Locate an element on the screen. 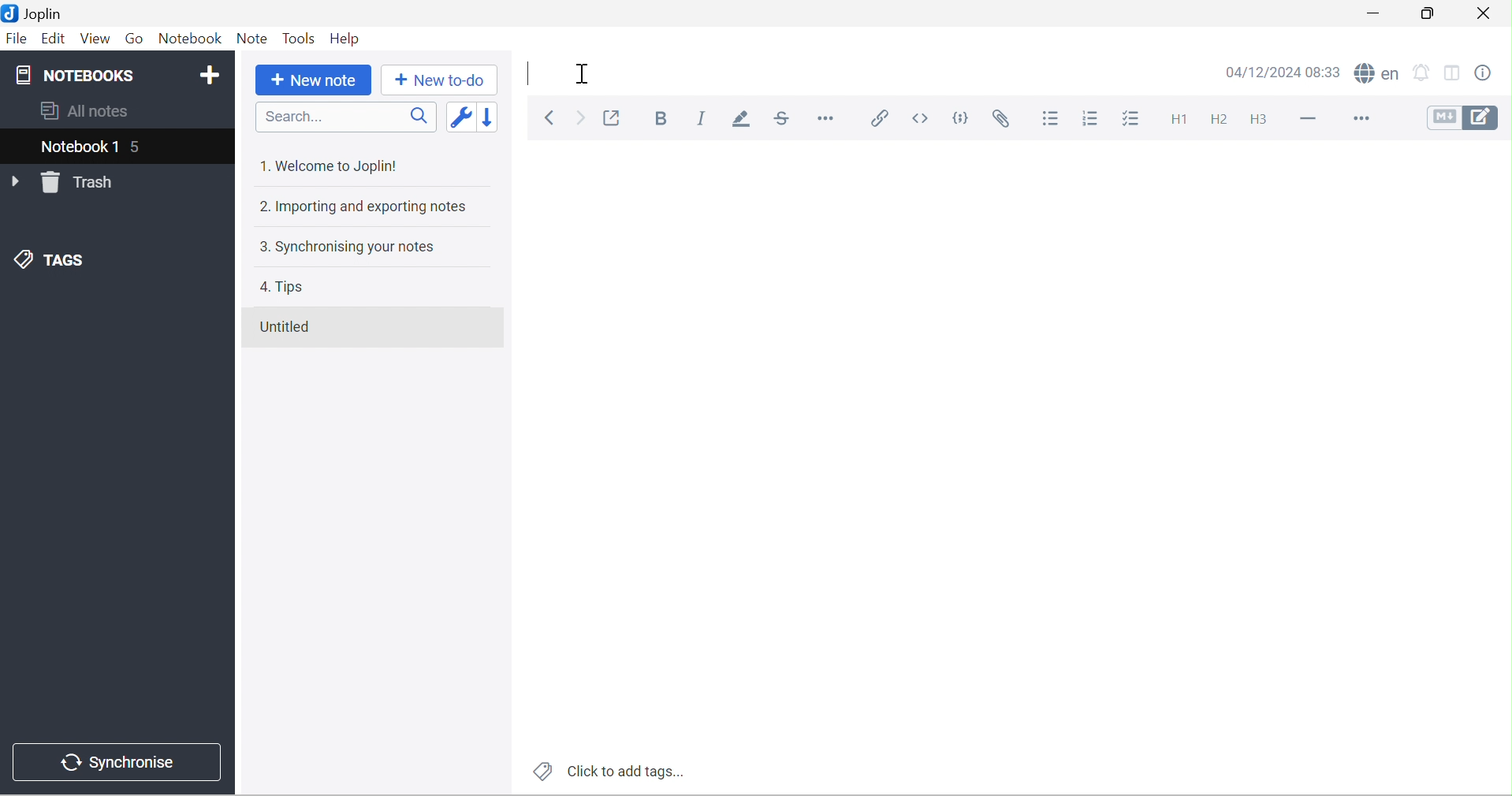 The image size is (1512, 796). Checkbox list is located at coordinates (1134, 119).